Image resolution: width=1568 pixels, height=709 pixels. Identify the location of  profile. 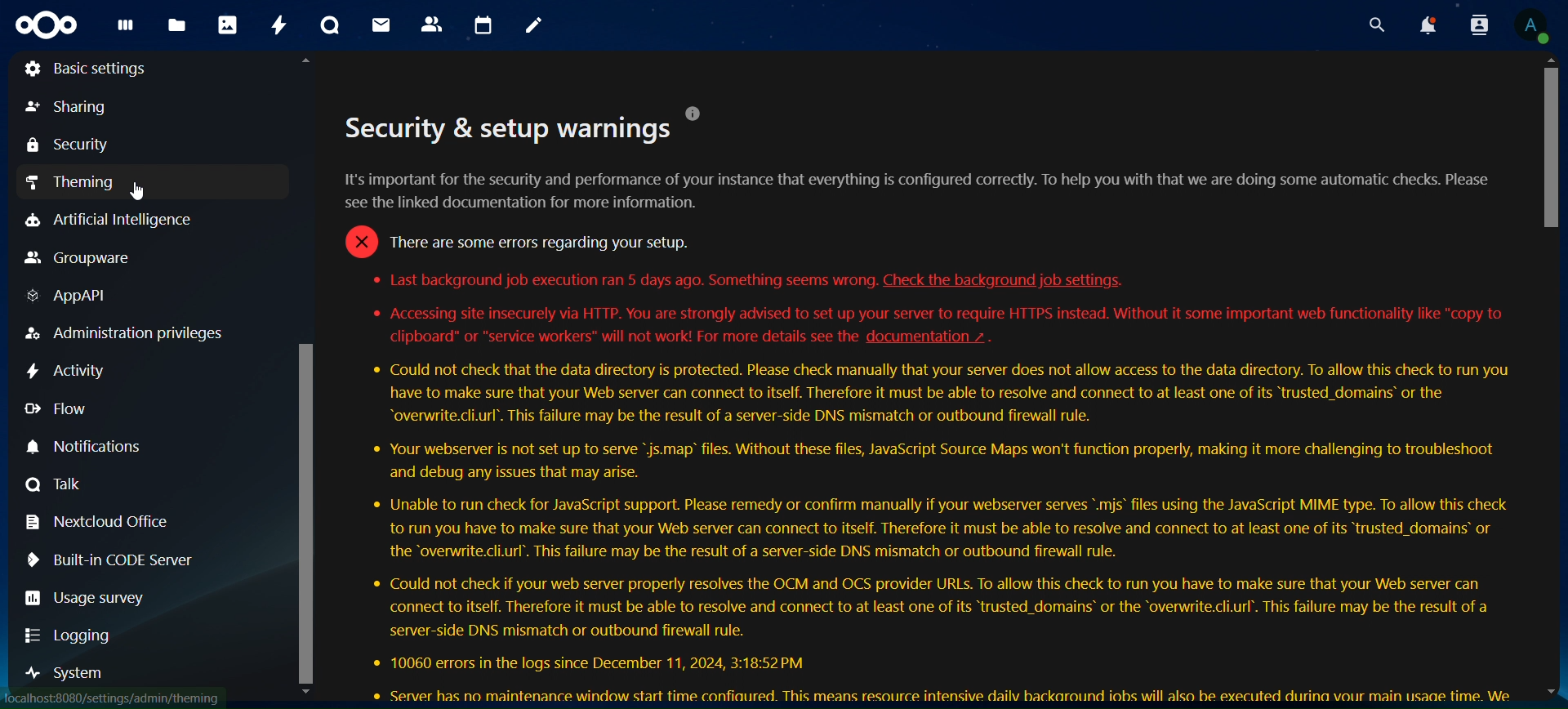
(1537, 29).